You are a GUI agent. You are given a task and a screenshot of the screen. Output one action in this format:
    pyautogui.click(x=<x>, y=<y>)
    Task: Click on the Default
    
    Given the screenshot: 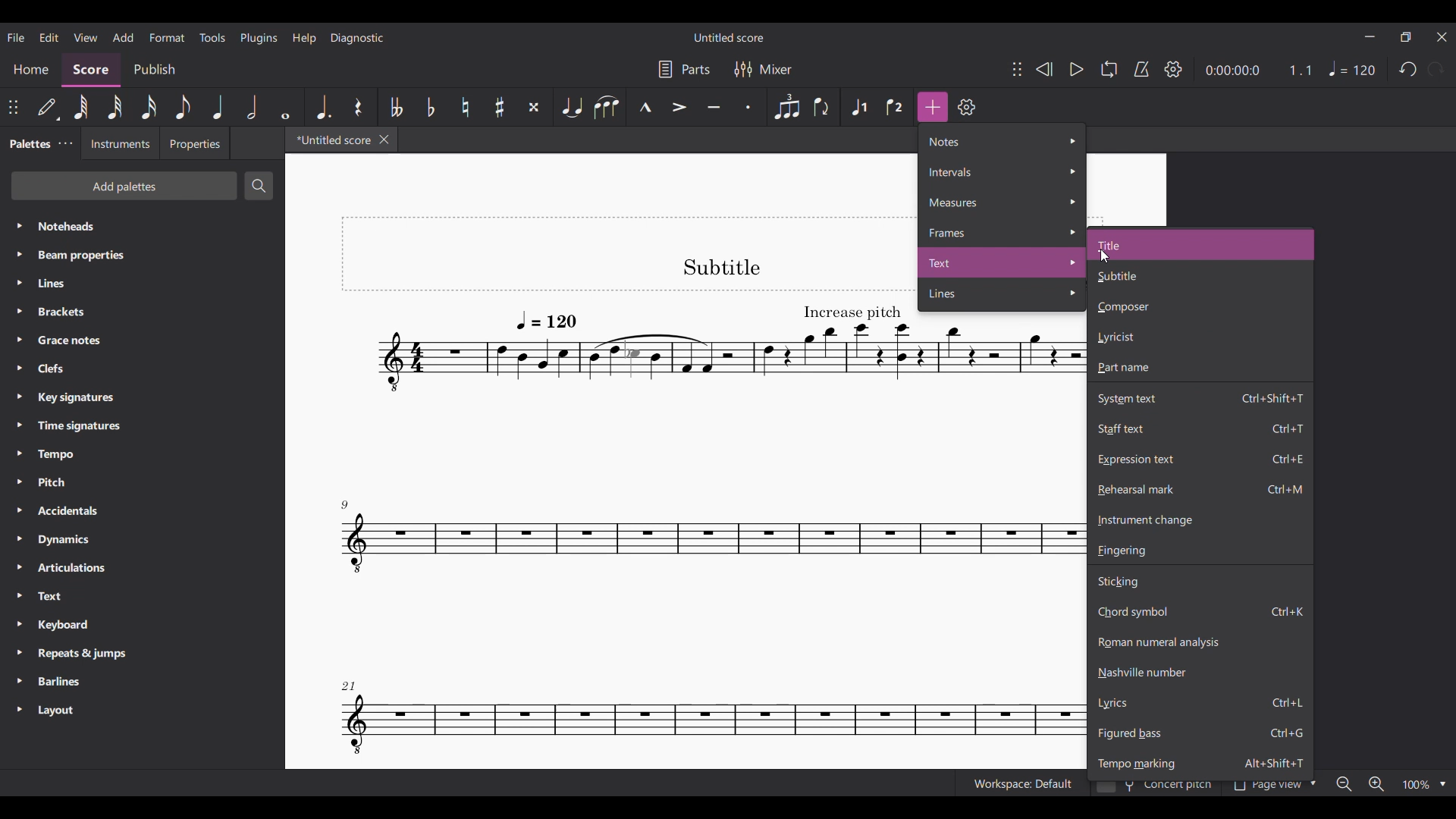 What is the action you would take?
    pyautogui.click(x=49, y=107)
    